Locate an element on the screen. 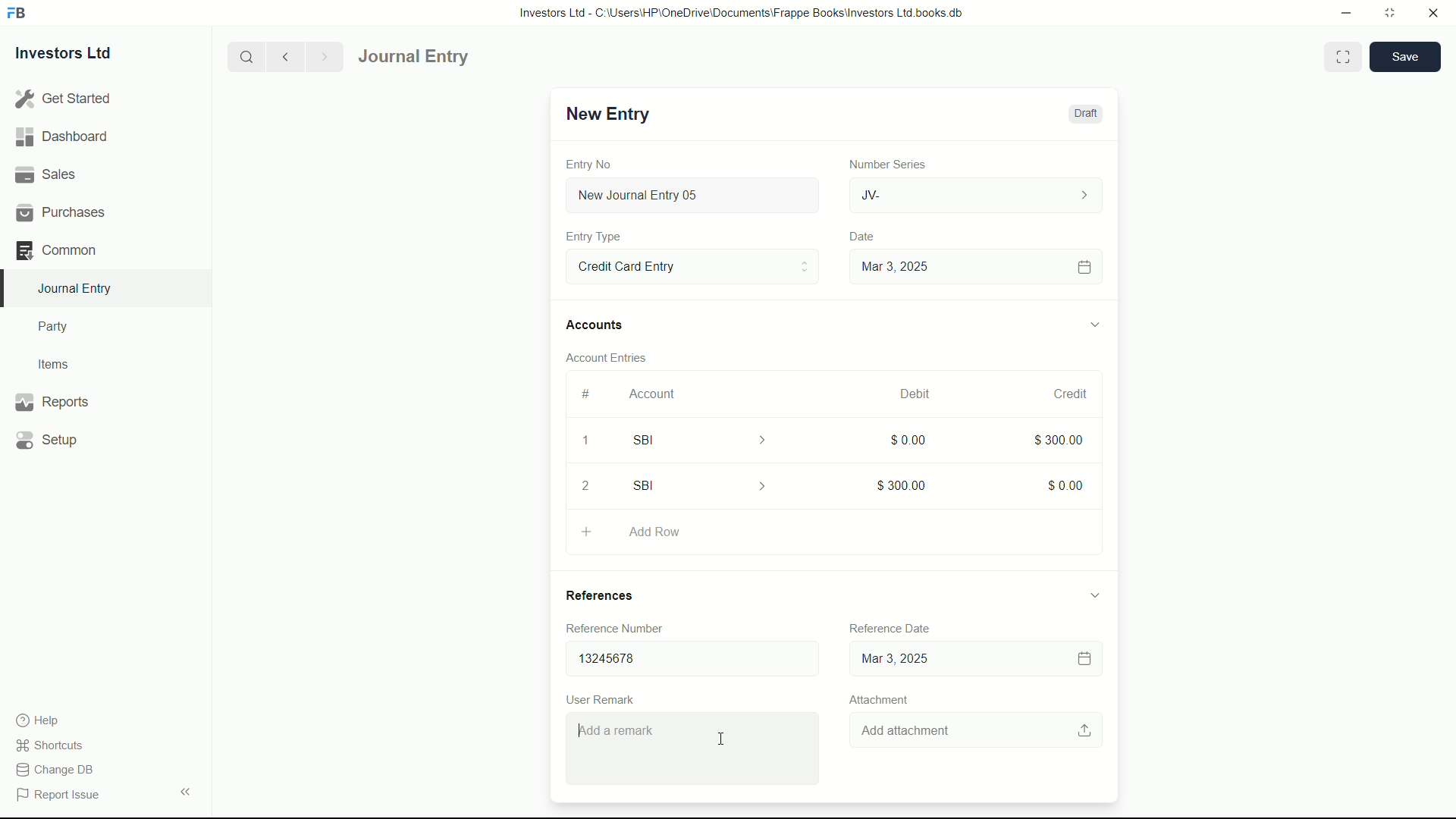 This screenshot has width=1456, height=819. FrappeBooks logo is located at coordinates (17, 14).